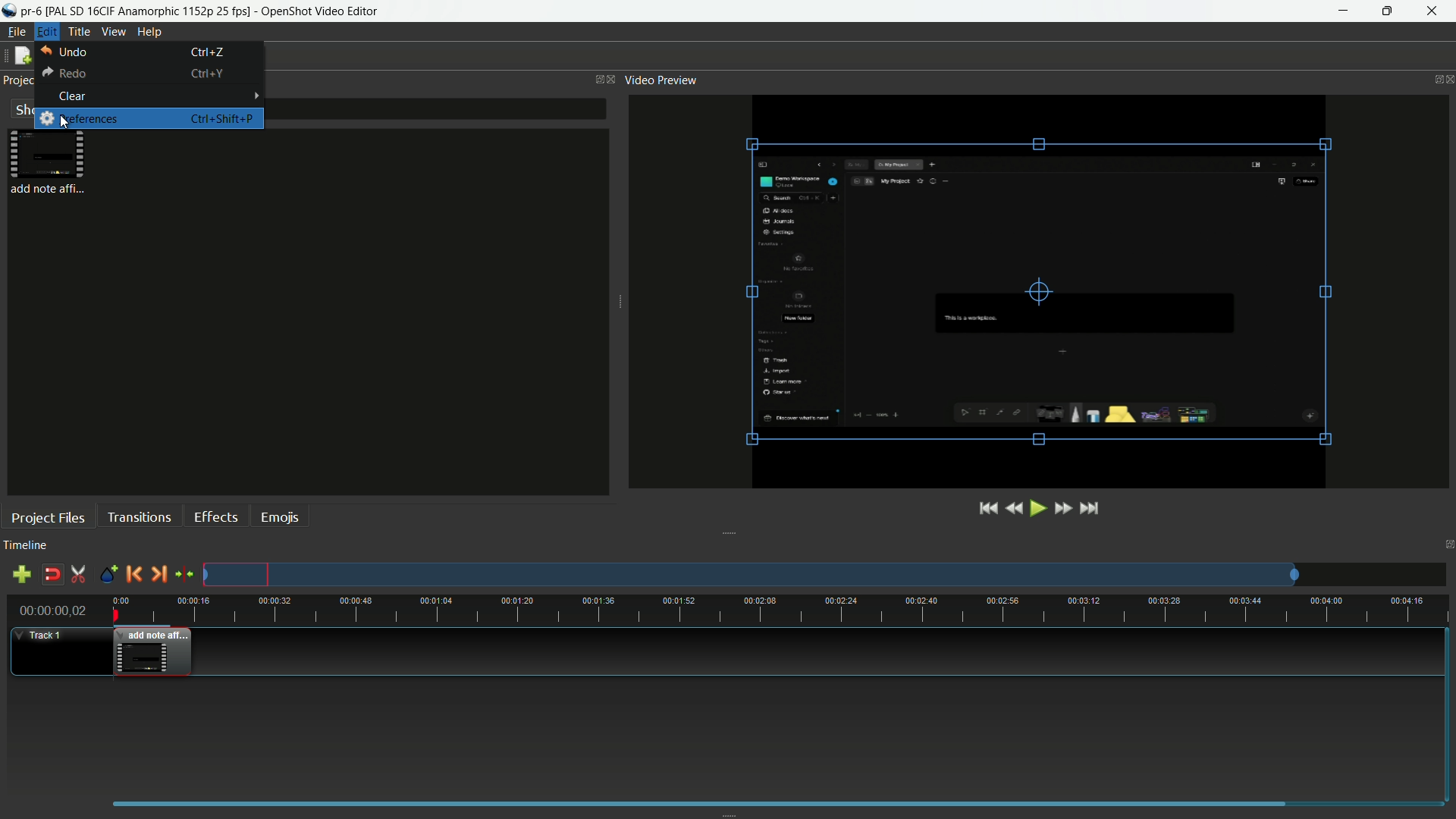  What do you see at coordinates (1014, 508) in the screenshot?
I see `rewind` at bounding box center [1014, 508].